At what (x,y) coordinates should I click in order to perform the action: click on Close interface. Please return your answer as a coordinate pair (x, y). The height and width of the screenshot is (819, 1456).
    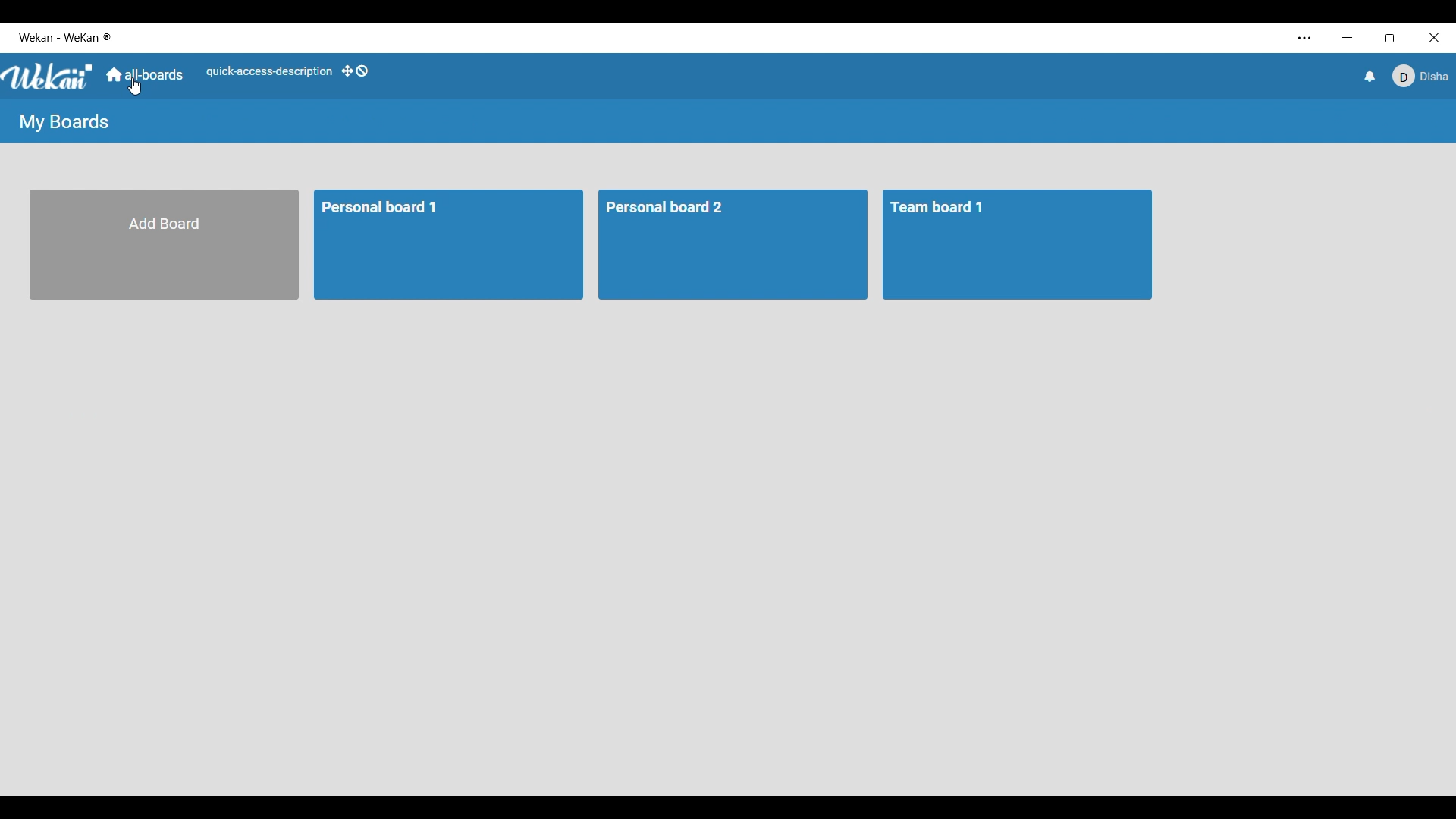
    Looking at the image, I should click on (1435, 38).